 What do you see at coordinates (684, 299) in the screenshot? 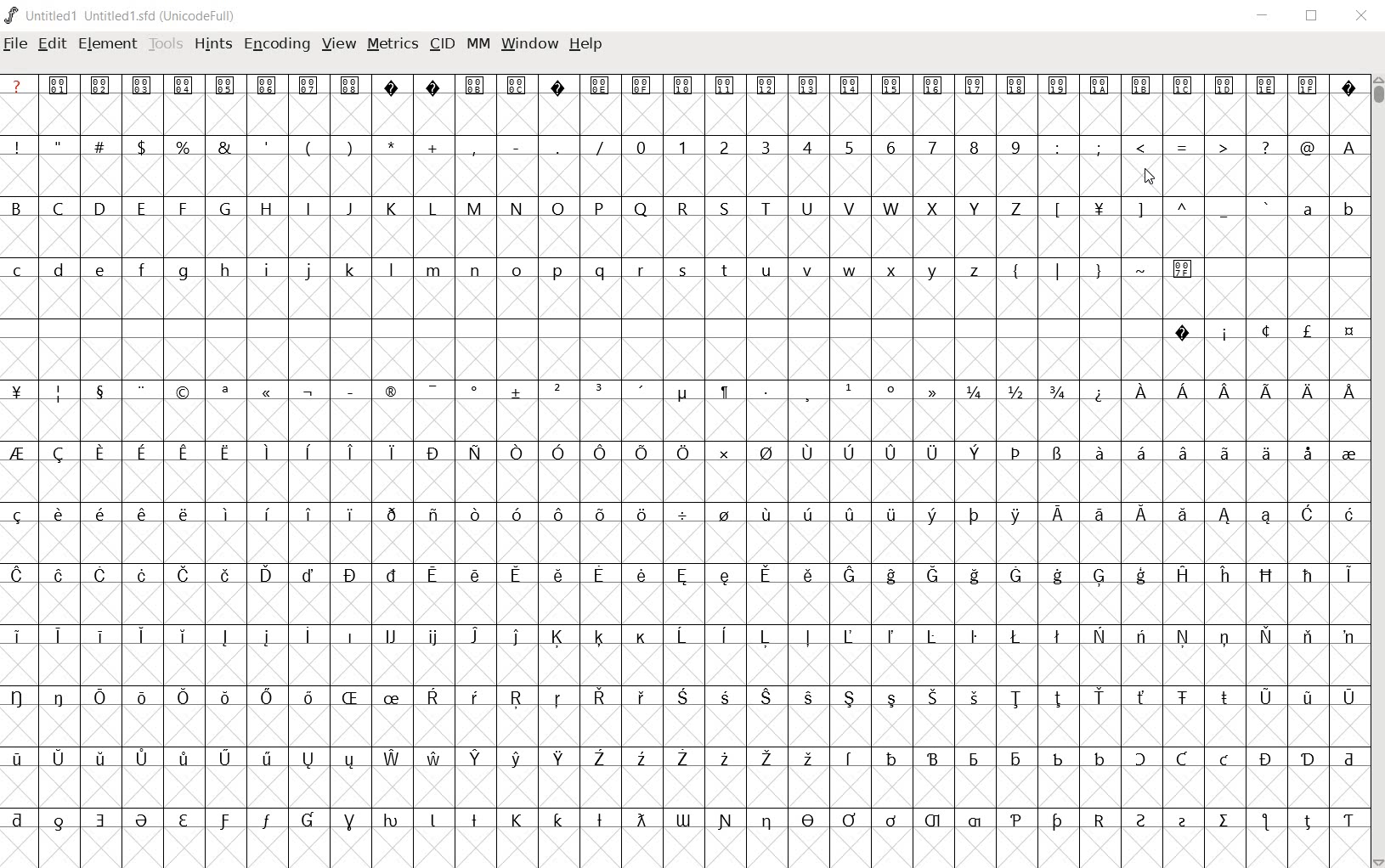
I see `empty cells` at bounding box center [684, 299].